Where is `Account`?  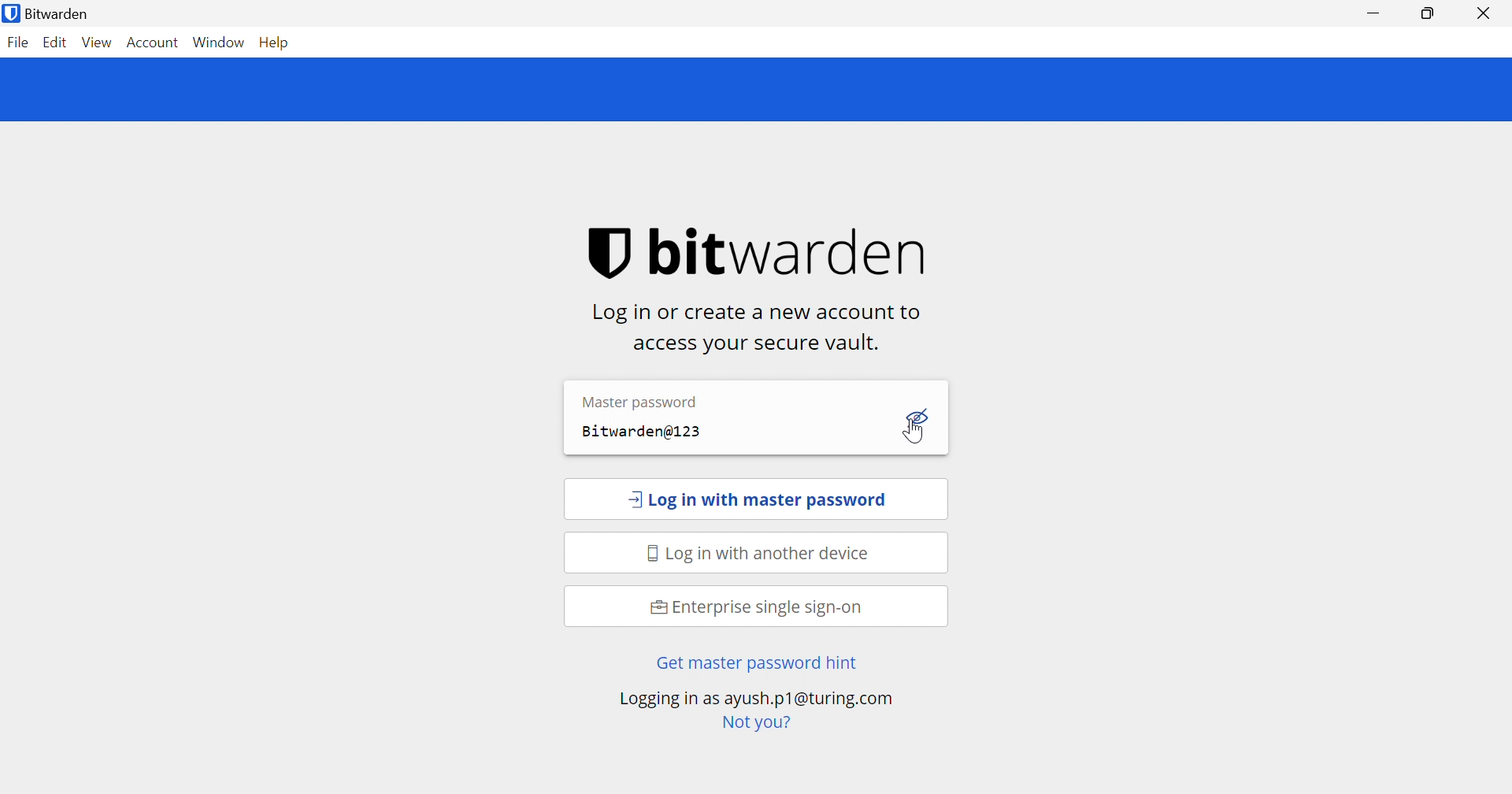
Account is located at coordinates (152, 42).